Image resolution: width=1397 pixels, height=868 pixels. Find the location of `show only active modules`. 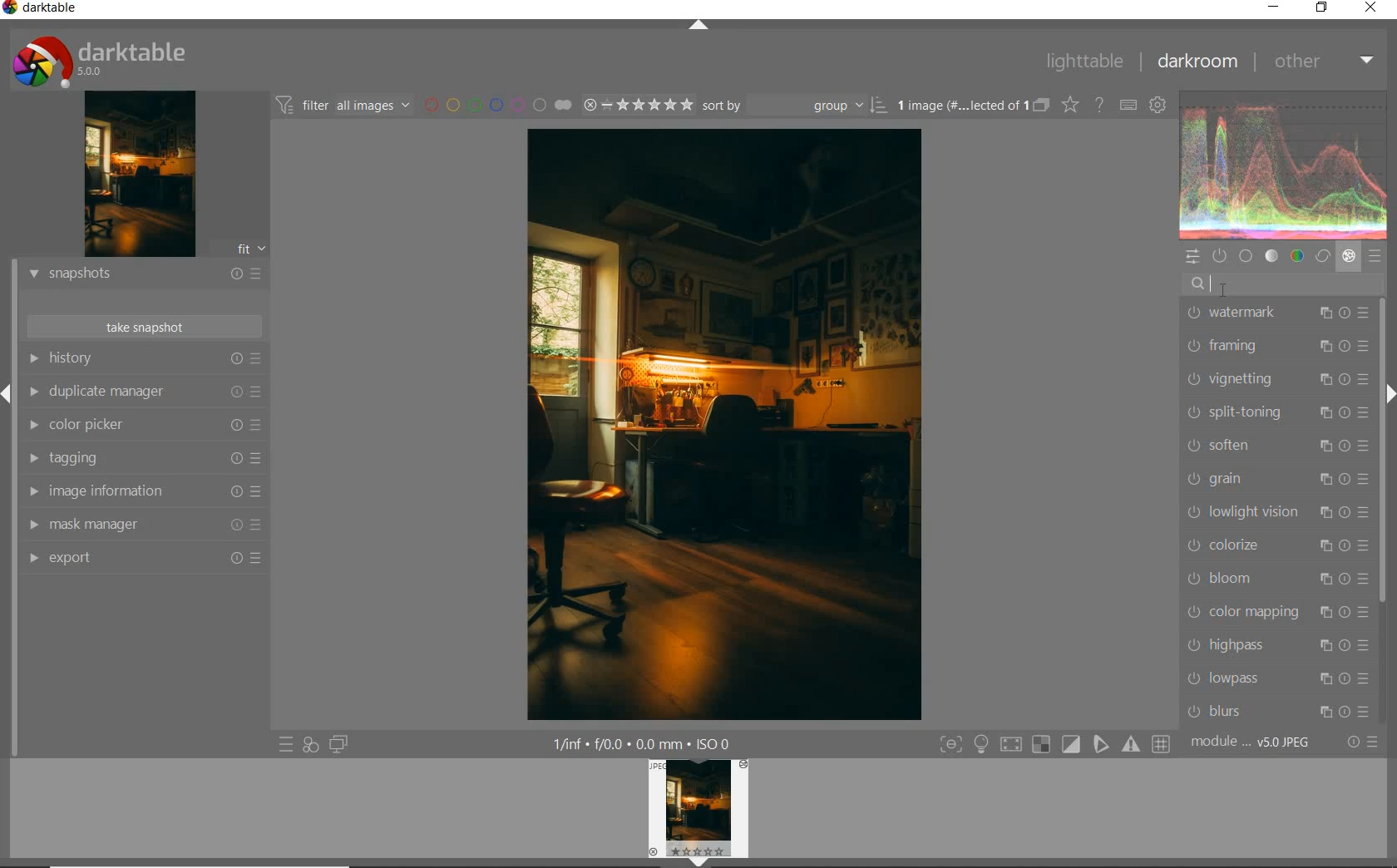

show only active modules is located at coordinates (1220, 256).